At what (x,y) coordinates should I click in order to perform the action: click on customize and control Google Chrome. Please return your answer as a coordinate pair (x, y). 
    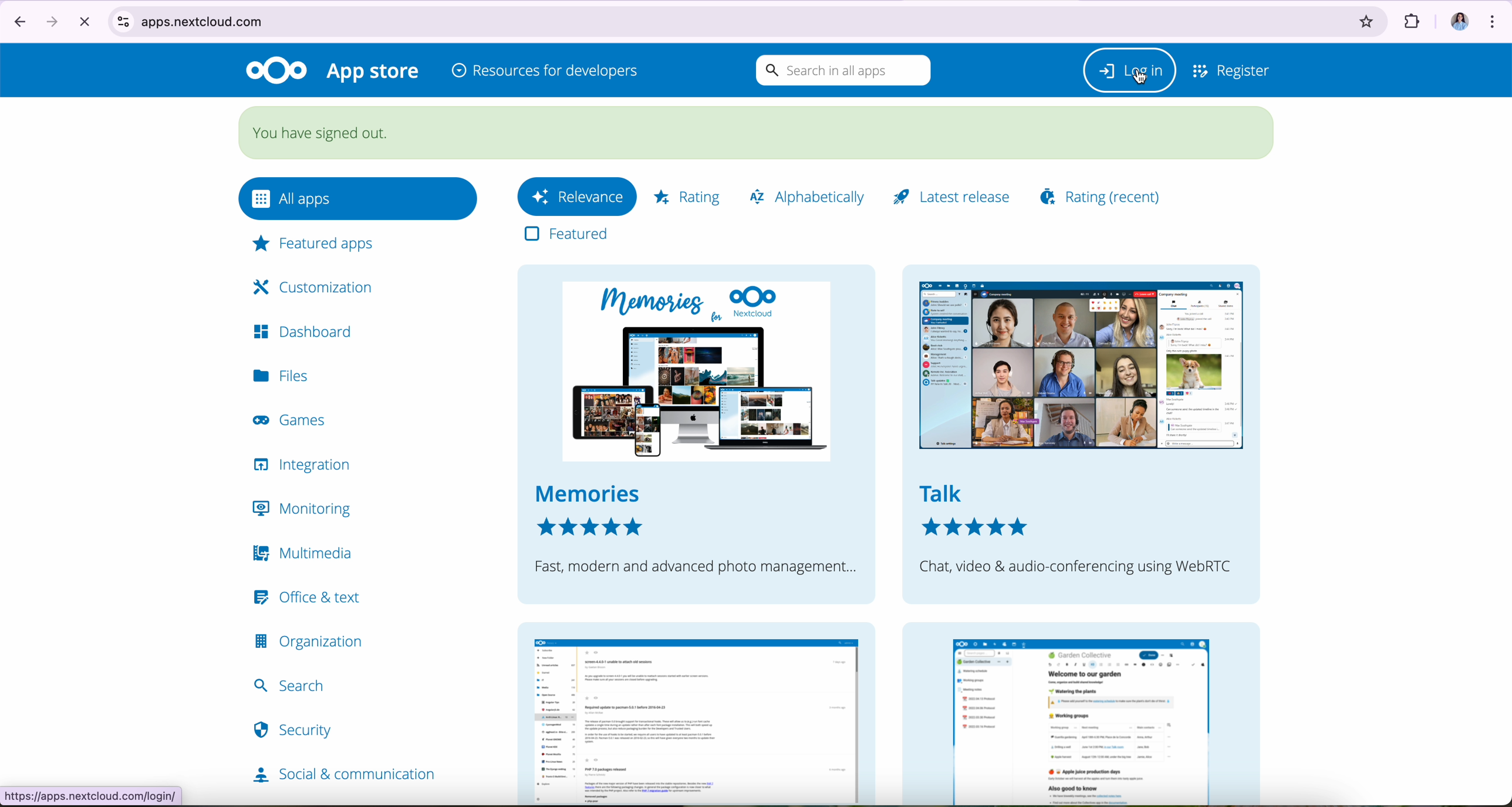
    Looking at the image, I should click on (1492, 21).